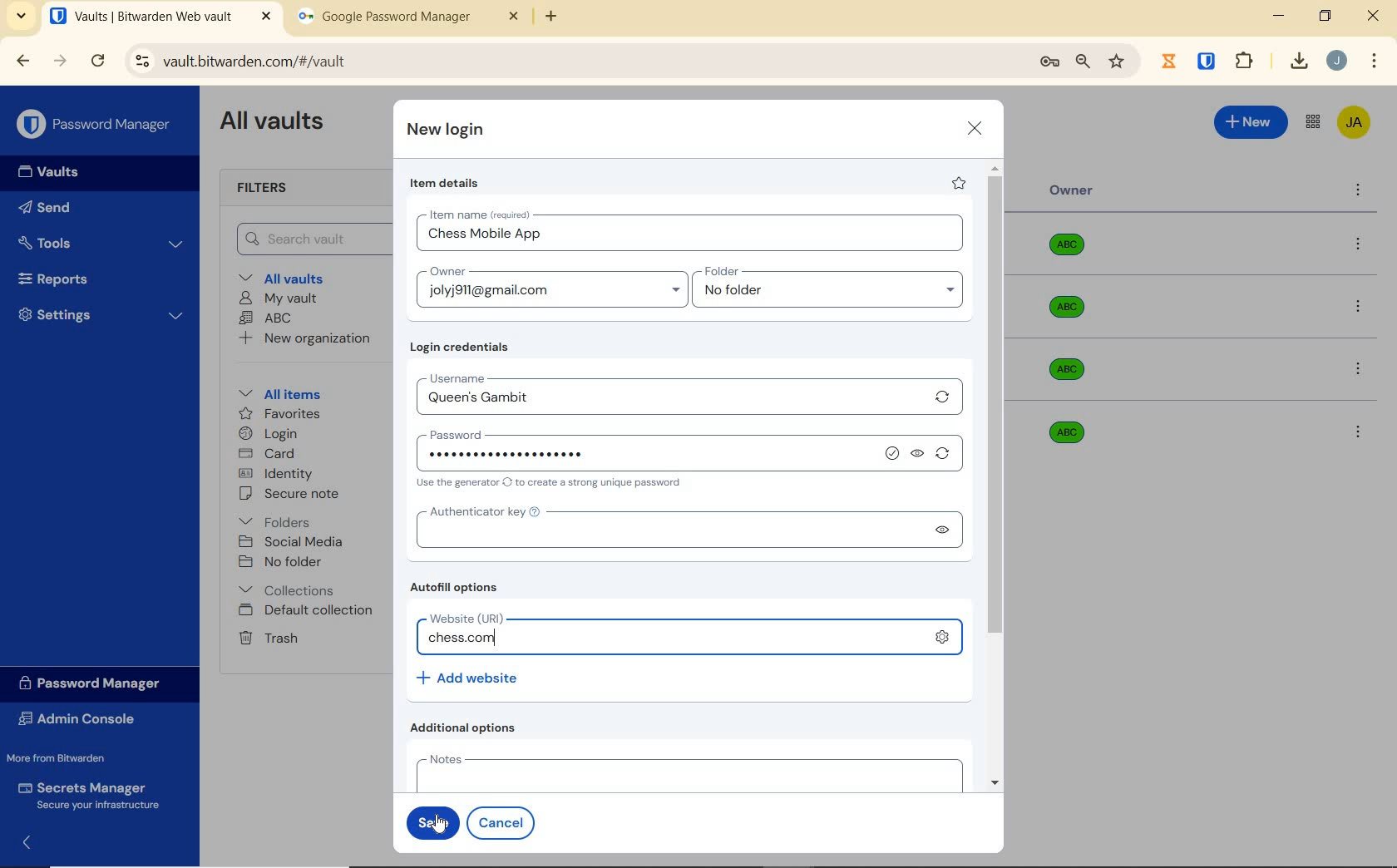  I want to click on restore, so click(1324, 16).